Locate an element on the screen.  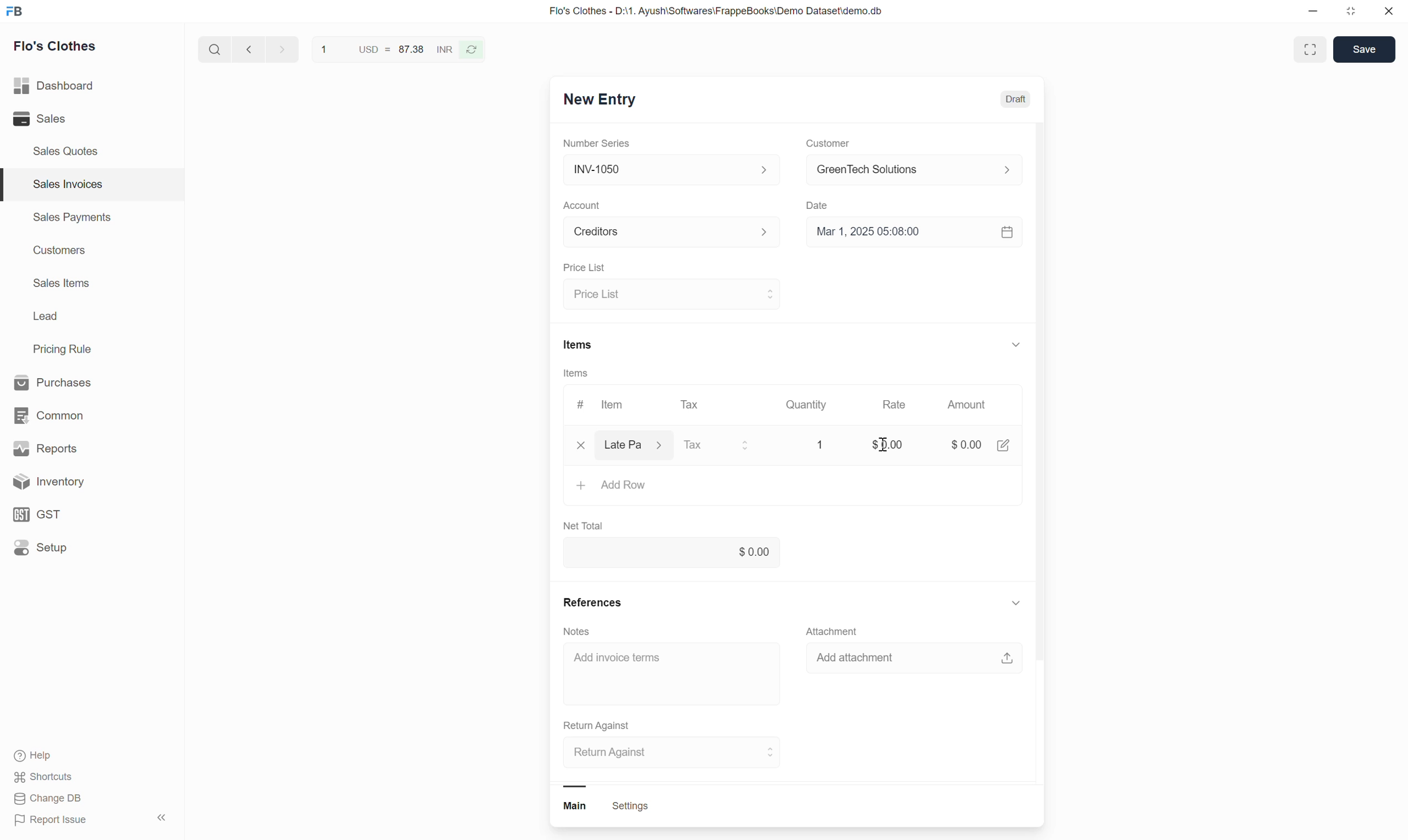
main is located at coordinates (580, 808).